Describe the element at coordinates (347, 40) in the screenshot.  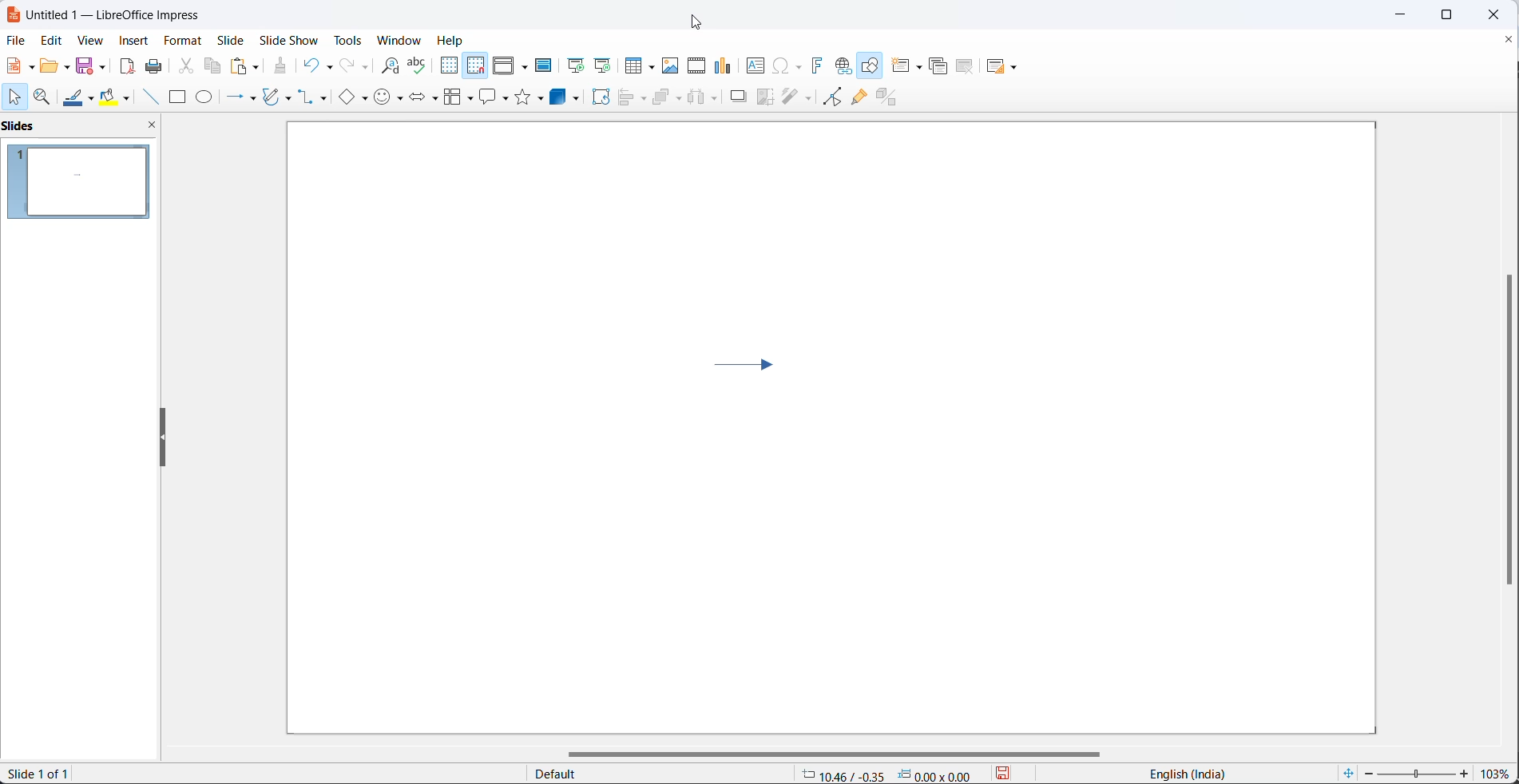
I see `tools` at that location.